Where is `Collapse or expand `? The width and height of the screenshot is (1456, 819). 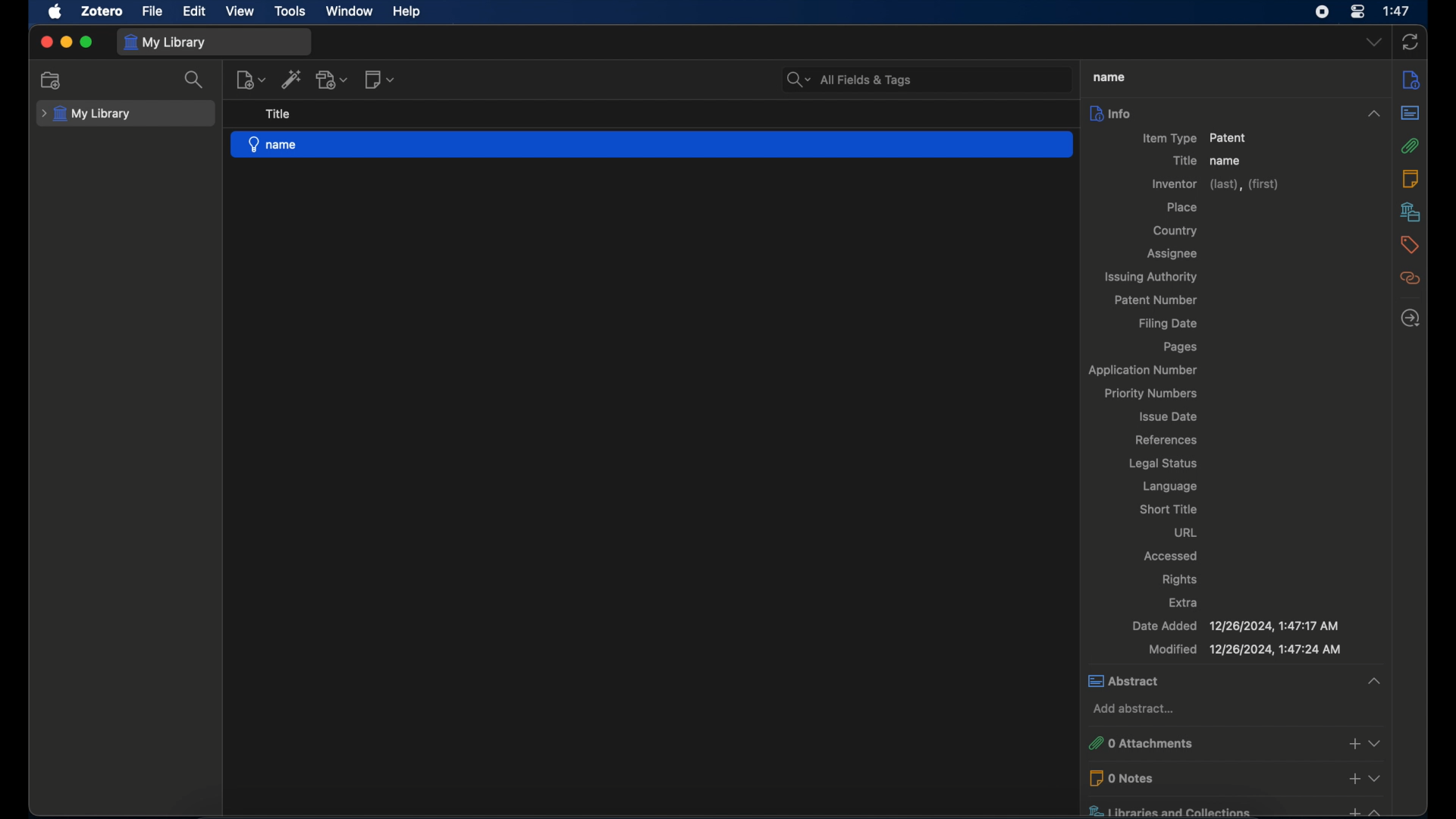 Collapse or expand  is located at coordinates (1373, 114).